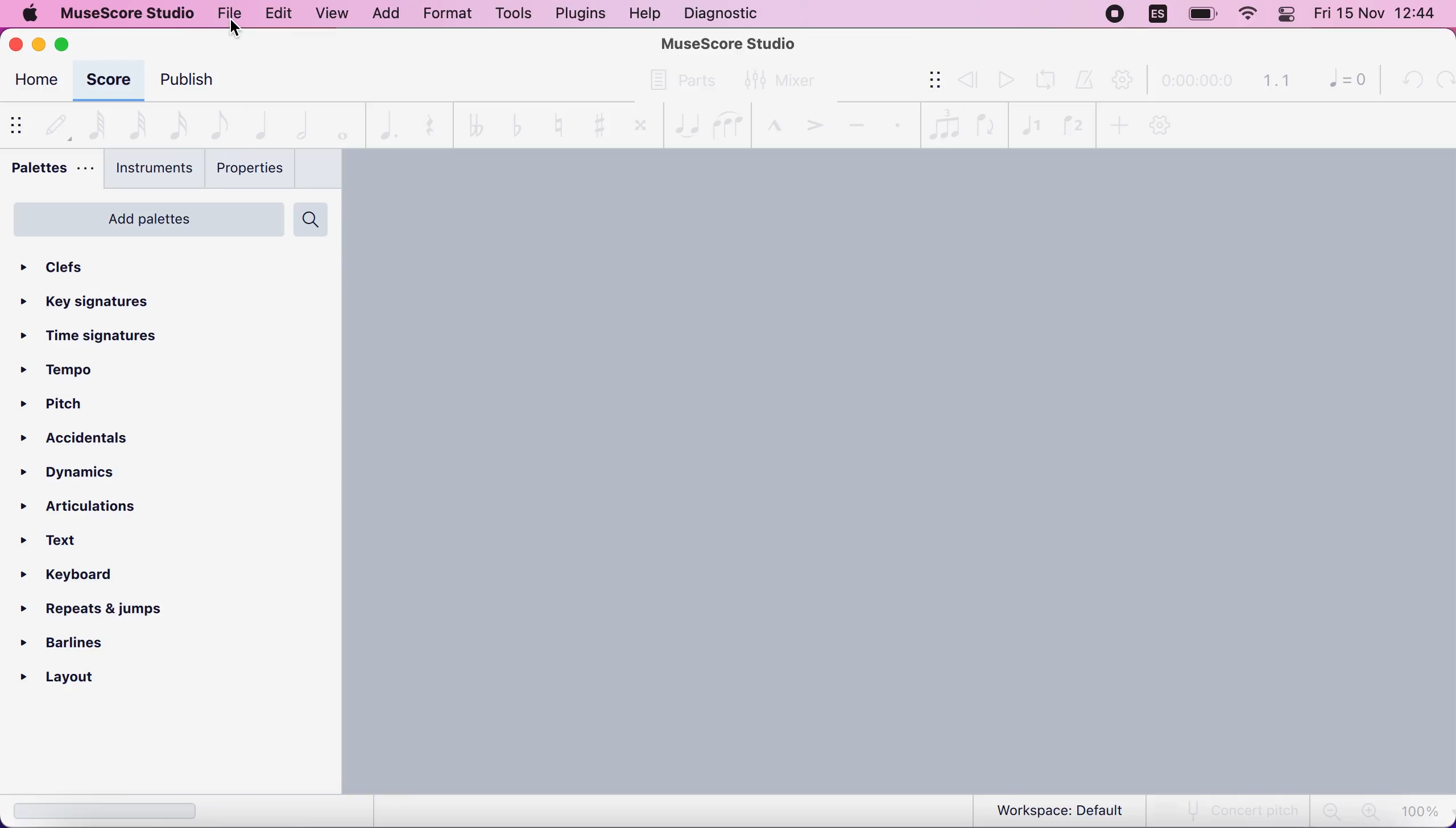  What do you see at coordinates (1368, 812) in the screenshot?
I see `zoom in` at bounding box center [1368, 812].